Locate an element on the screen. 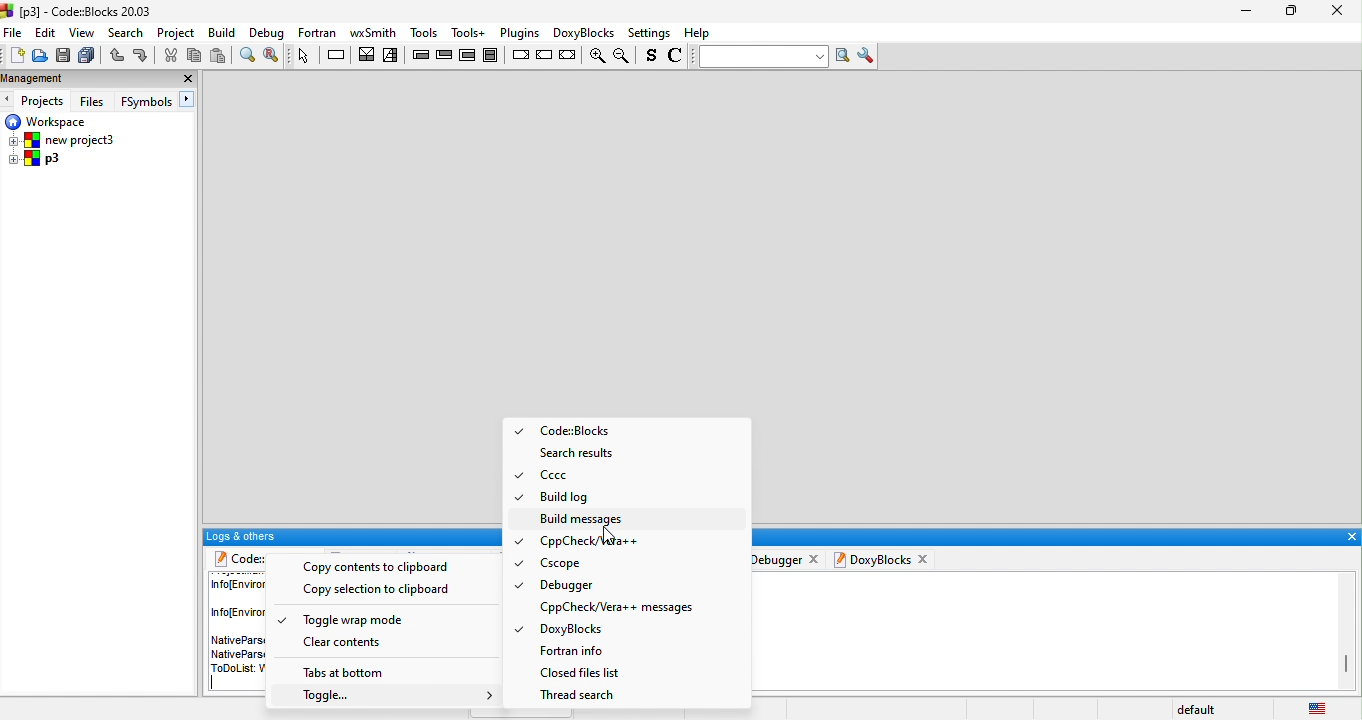  copy is located at coordinates (194, 56).